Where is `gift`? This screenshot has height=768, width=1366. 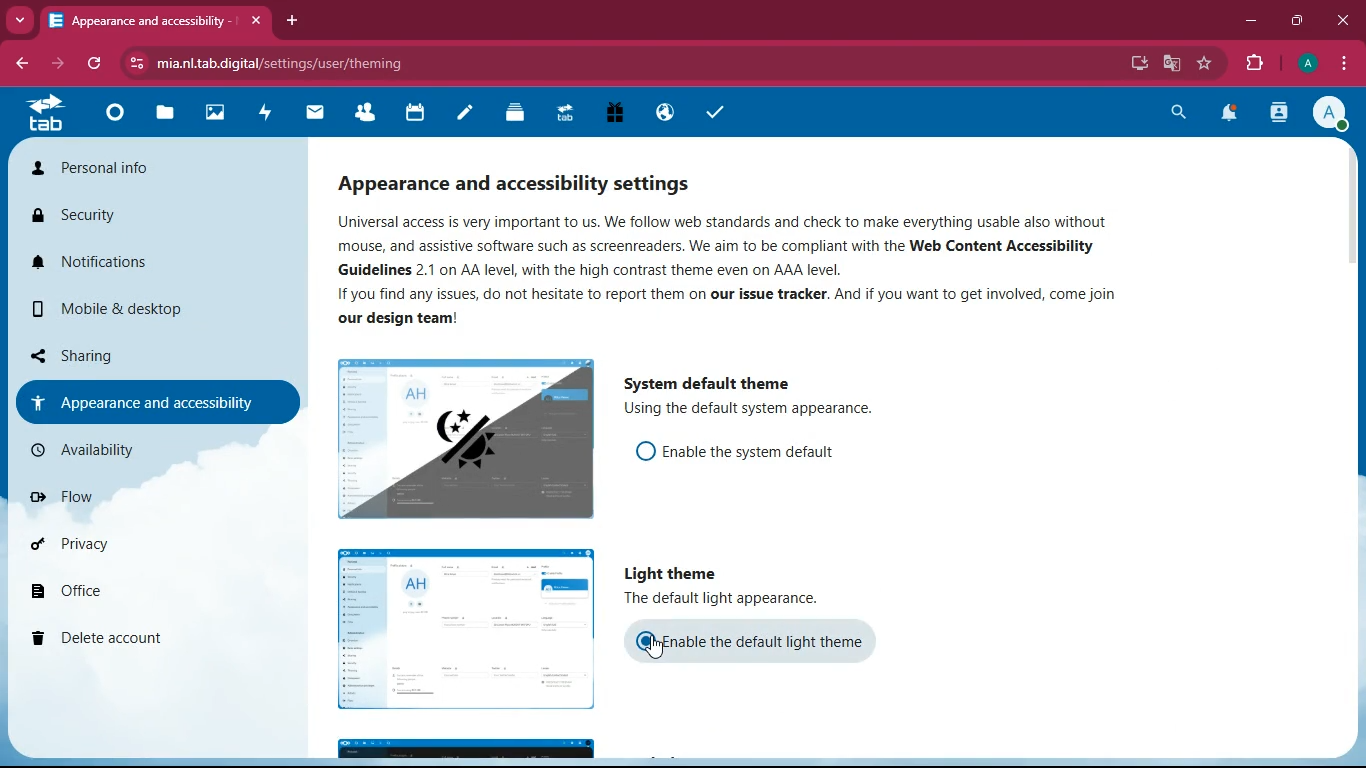
gift is located at coordinates (612, 115).